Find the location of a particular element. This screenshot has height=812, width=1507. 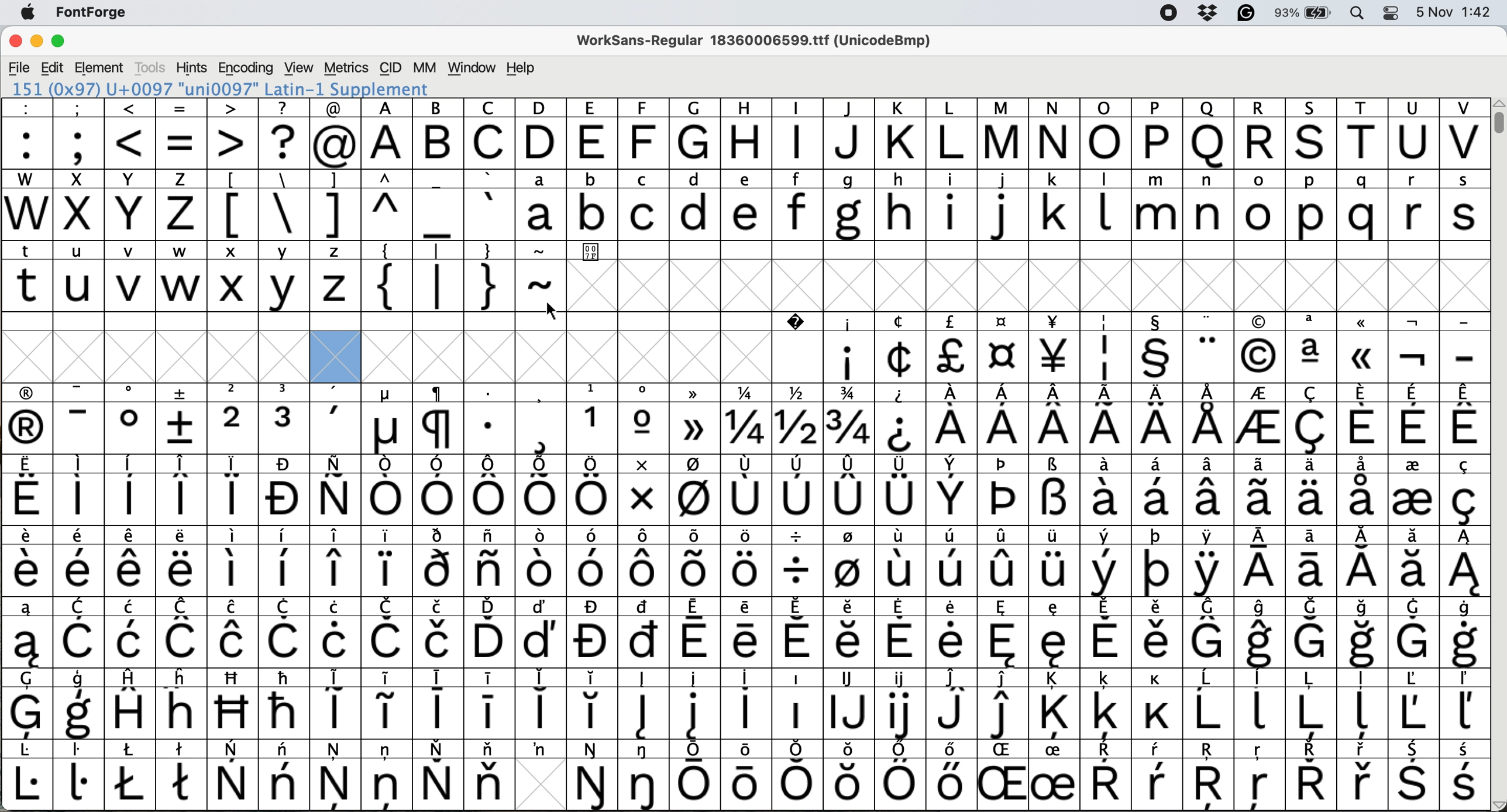

w is located at coordinates (181, 277).